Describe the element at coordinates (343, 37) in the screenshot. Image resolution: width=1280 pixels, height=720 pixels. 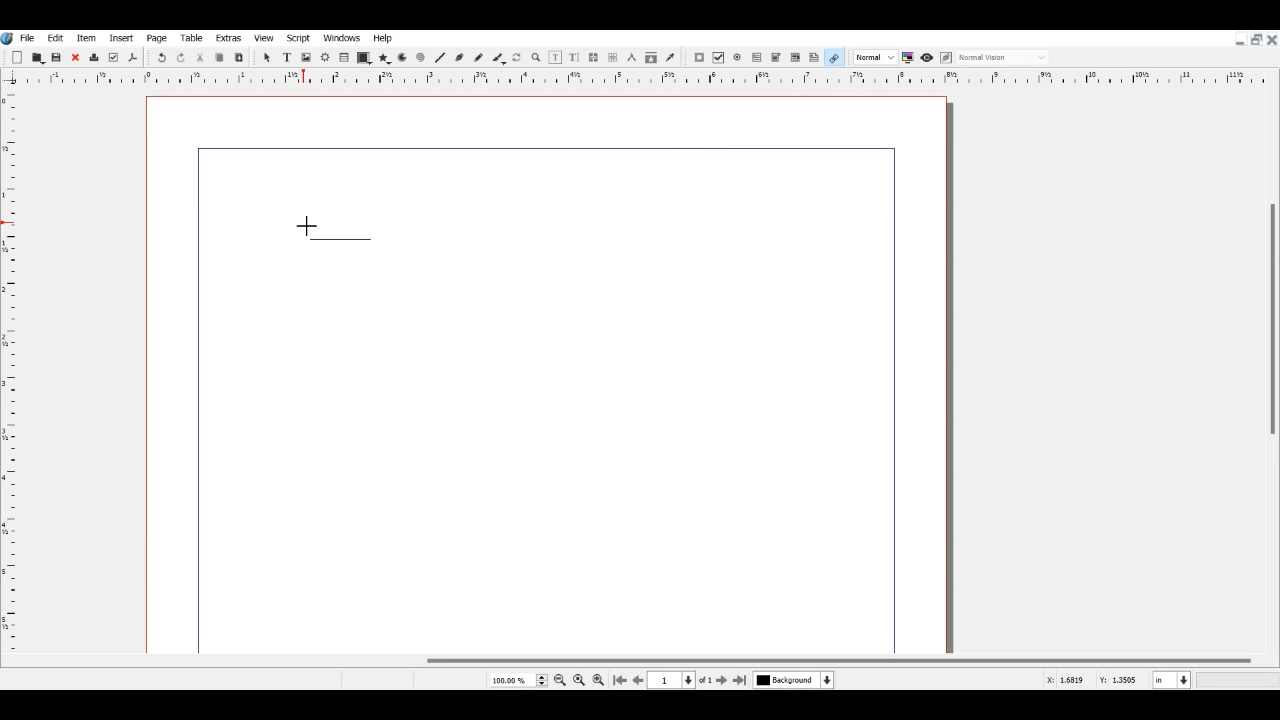
I see `Windows` at that location.